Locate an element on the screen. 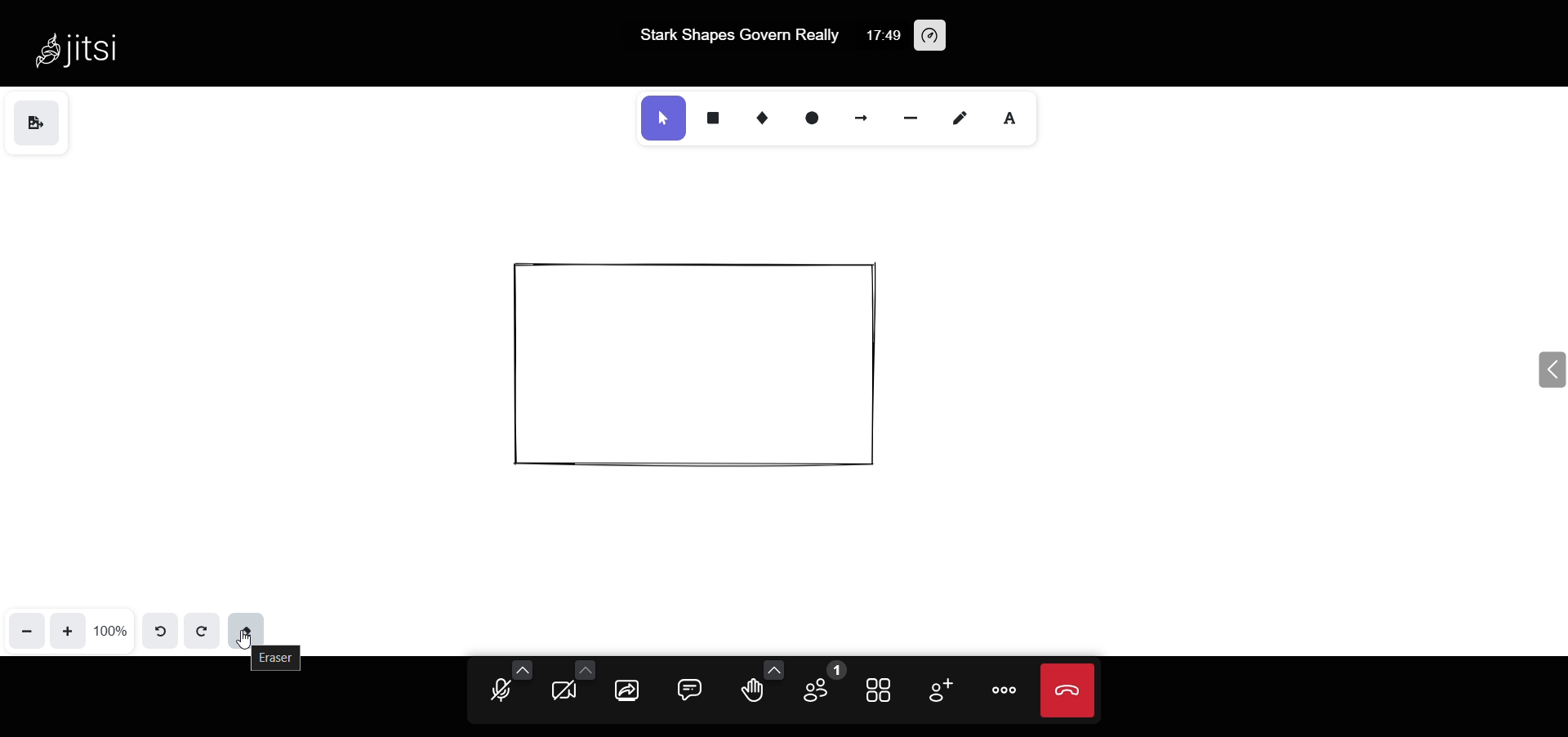  content is located at coordinates (696, 368).